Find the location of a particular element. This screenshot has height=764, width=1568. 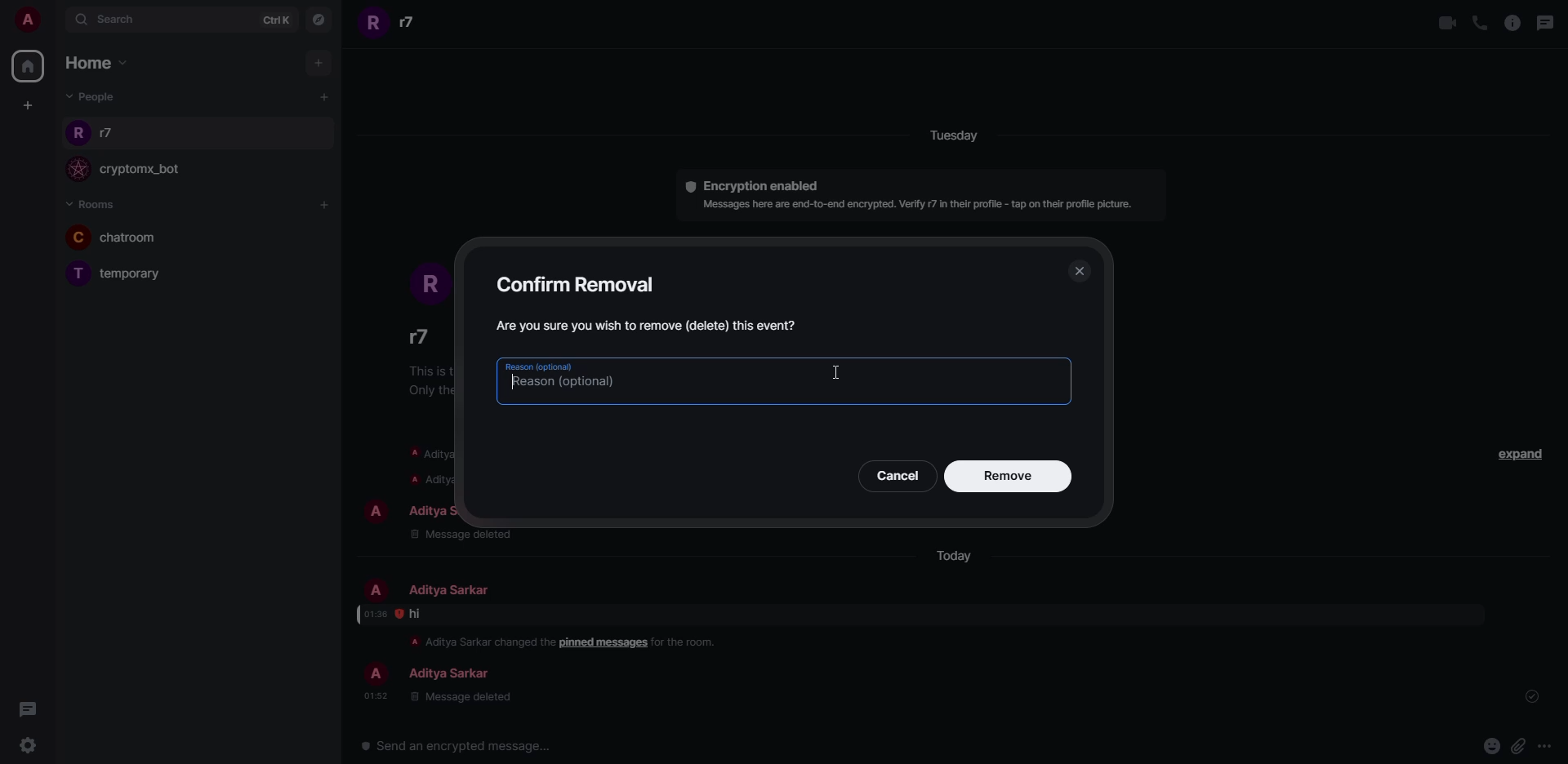

profile is located at coordinates (374, 512).